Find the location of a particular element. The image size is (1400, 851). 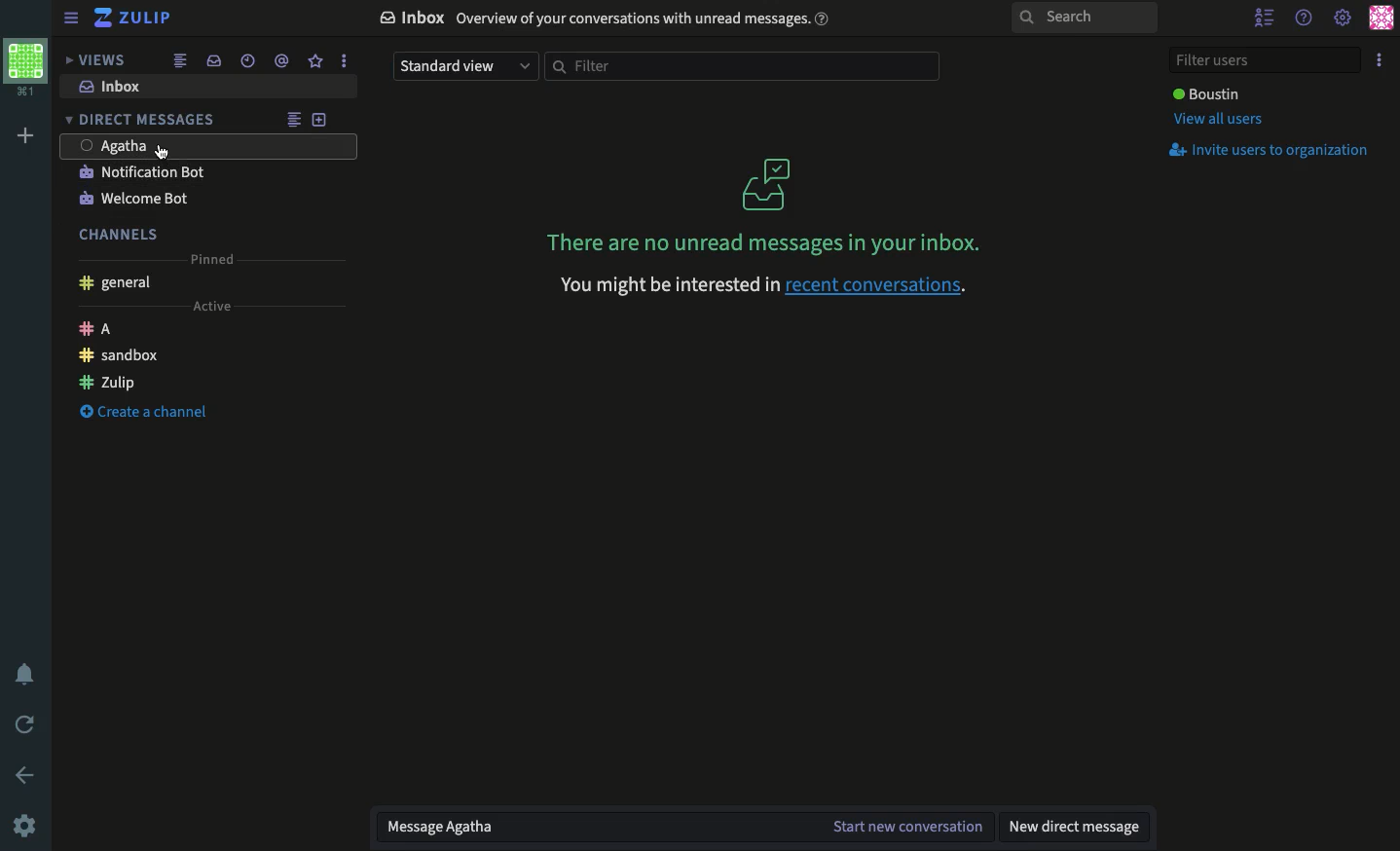

Add is located at coordinates (323, 118).